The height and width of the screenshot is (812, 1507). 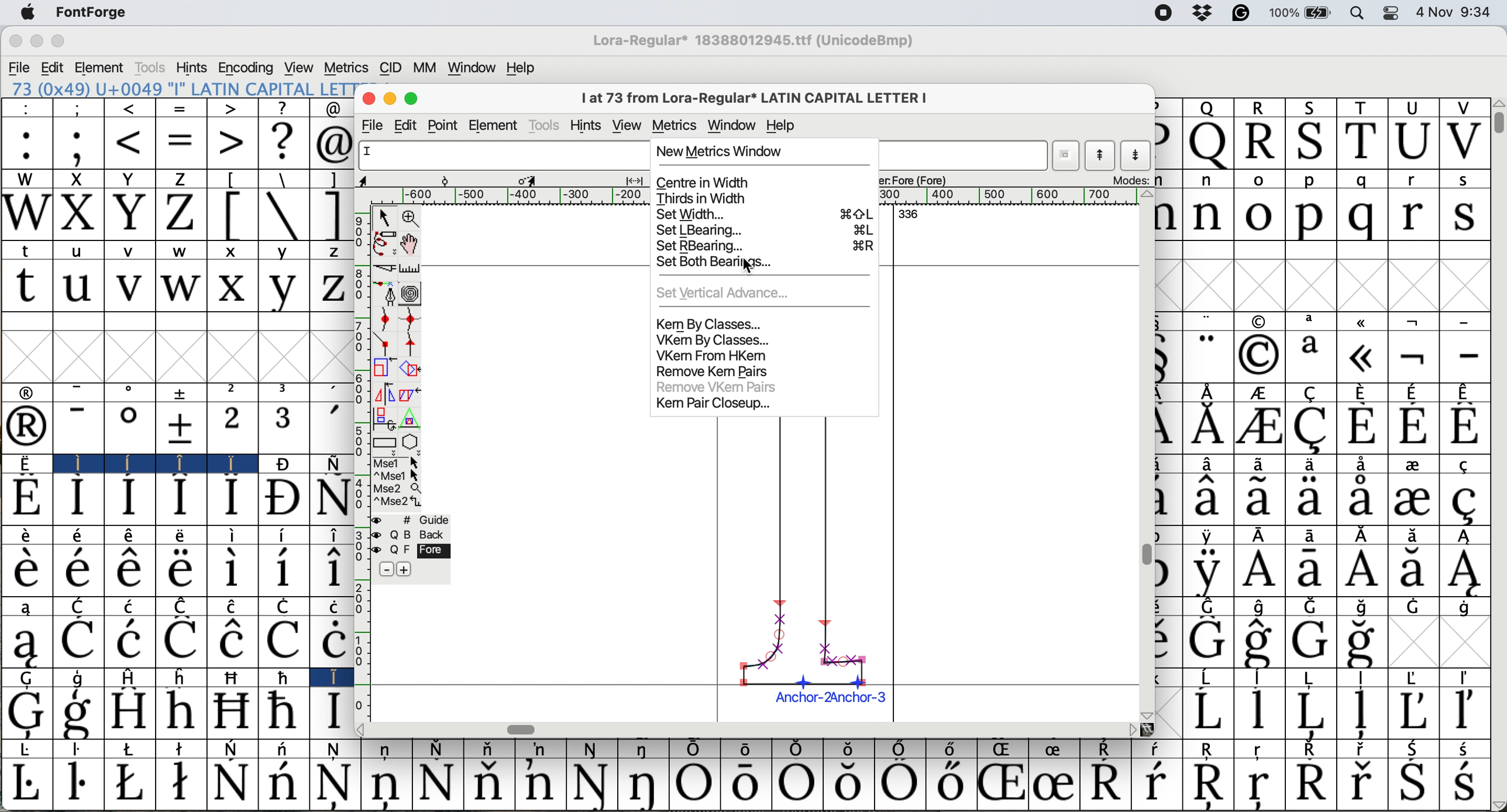 I want to click on show previous letter, so click(x=1102, y=156).